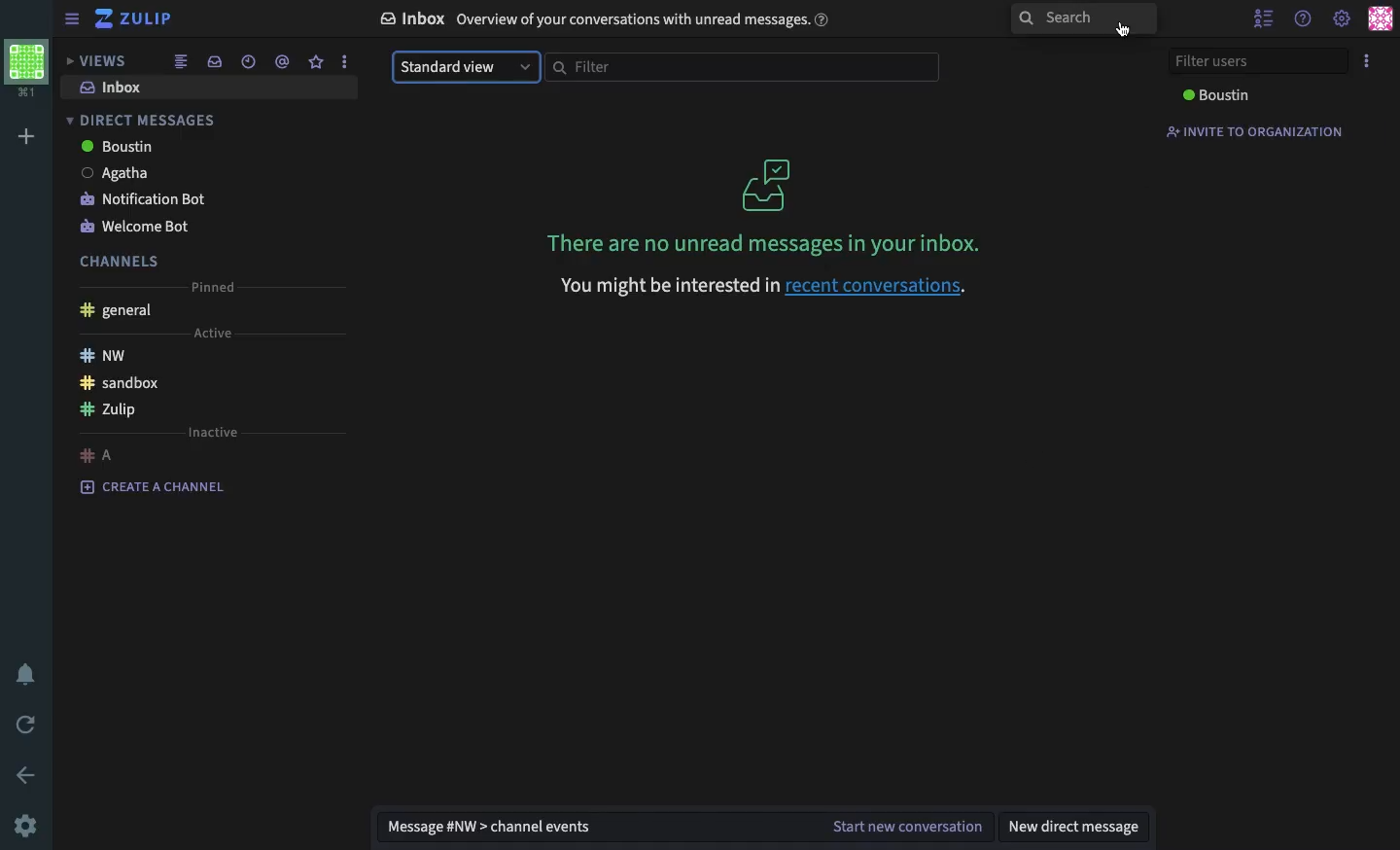  What do you see at coordinates (214, 60) in the screenshot?
I see `inbox` at bounding box center [214, 60].